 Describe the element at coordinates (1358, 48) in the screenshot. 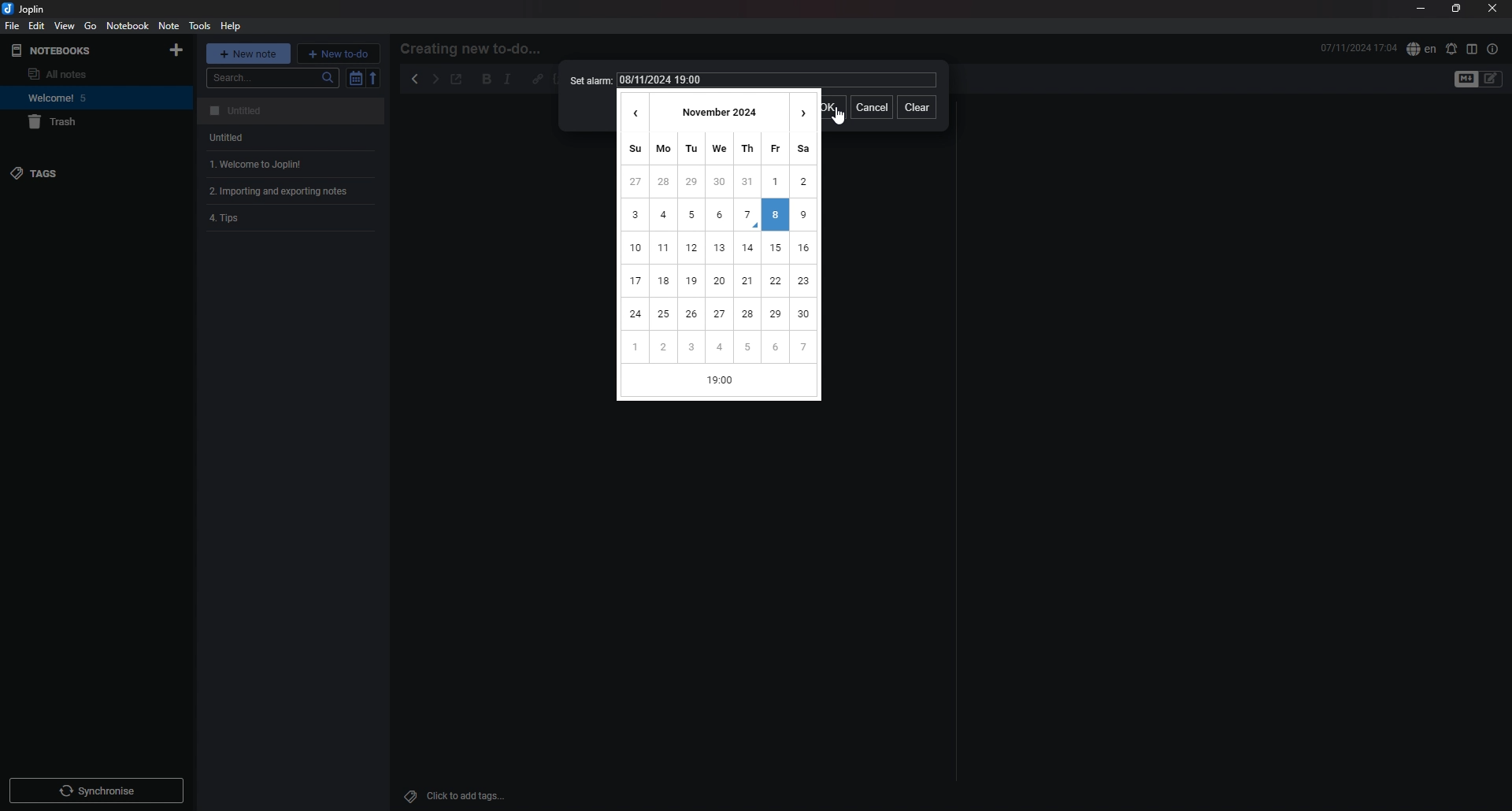

I see `date and time` at that location.